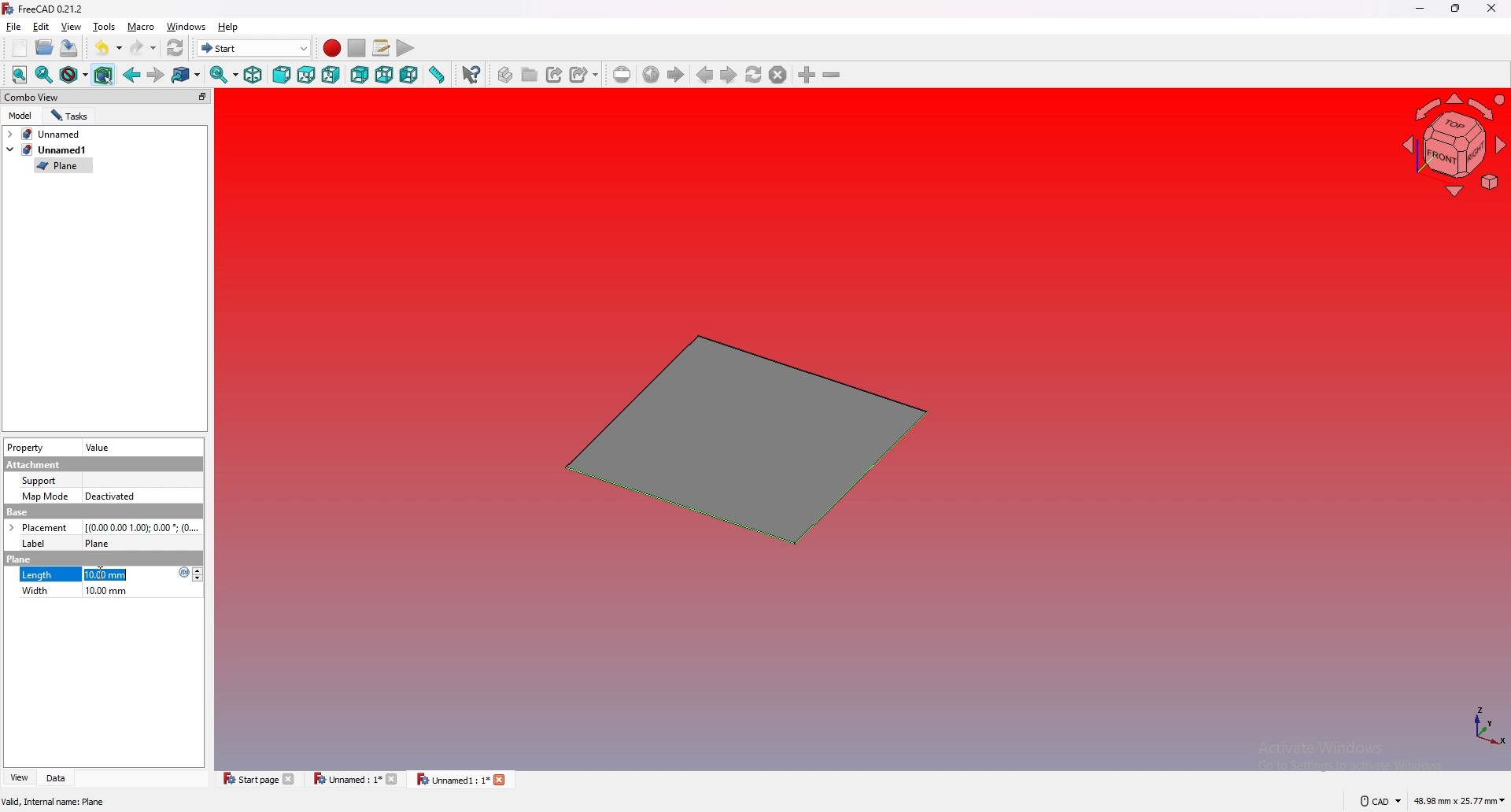 The image size is (1511, 812). What do you see at coordinates (754, 74) in the screenshot?
I see `refresh webpage` at bounding box center [754, 74].